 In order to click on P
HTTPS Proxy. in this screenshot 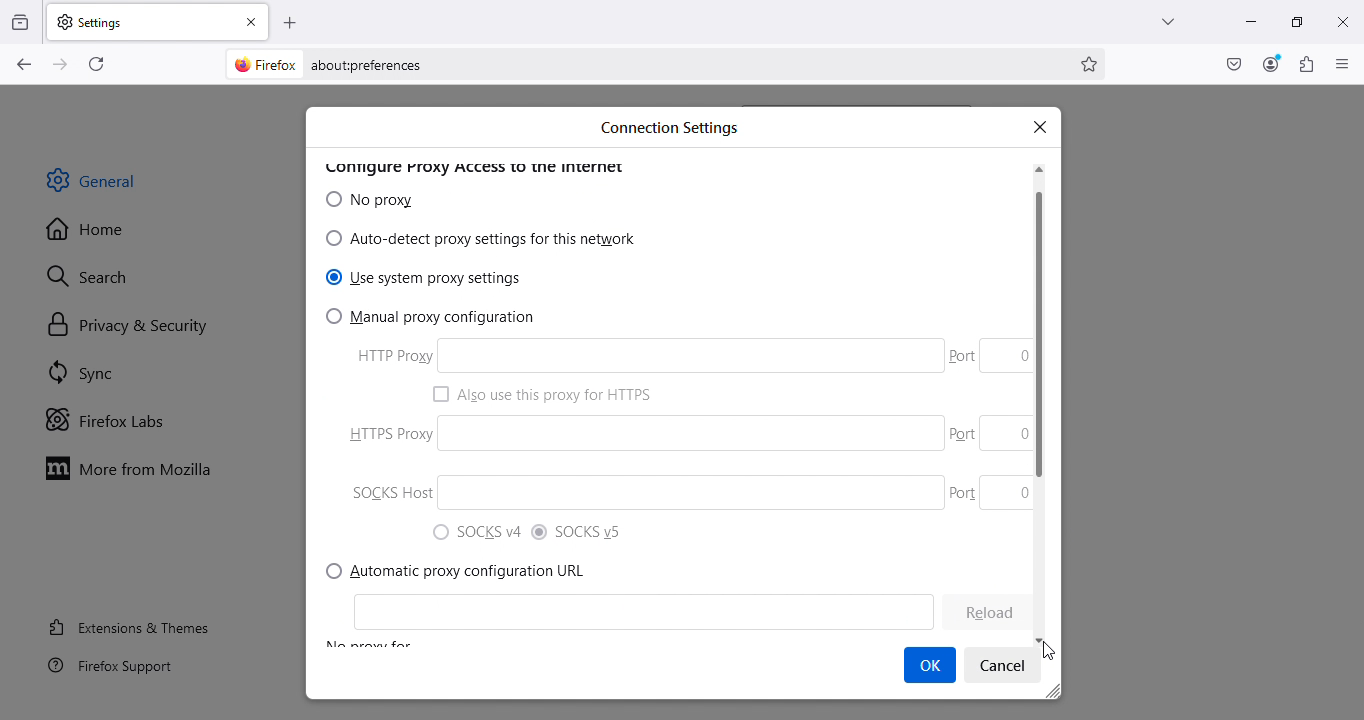, I will do `click(619, 434)`.